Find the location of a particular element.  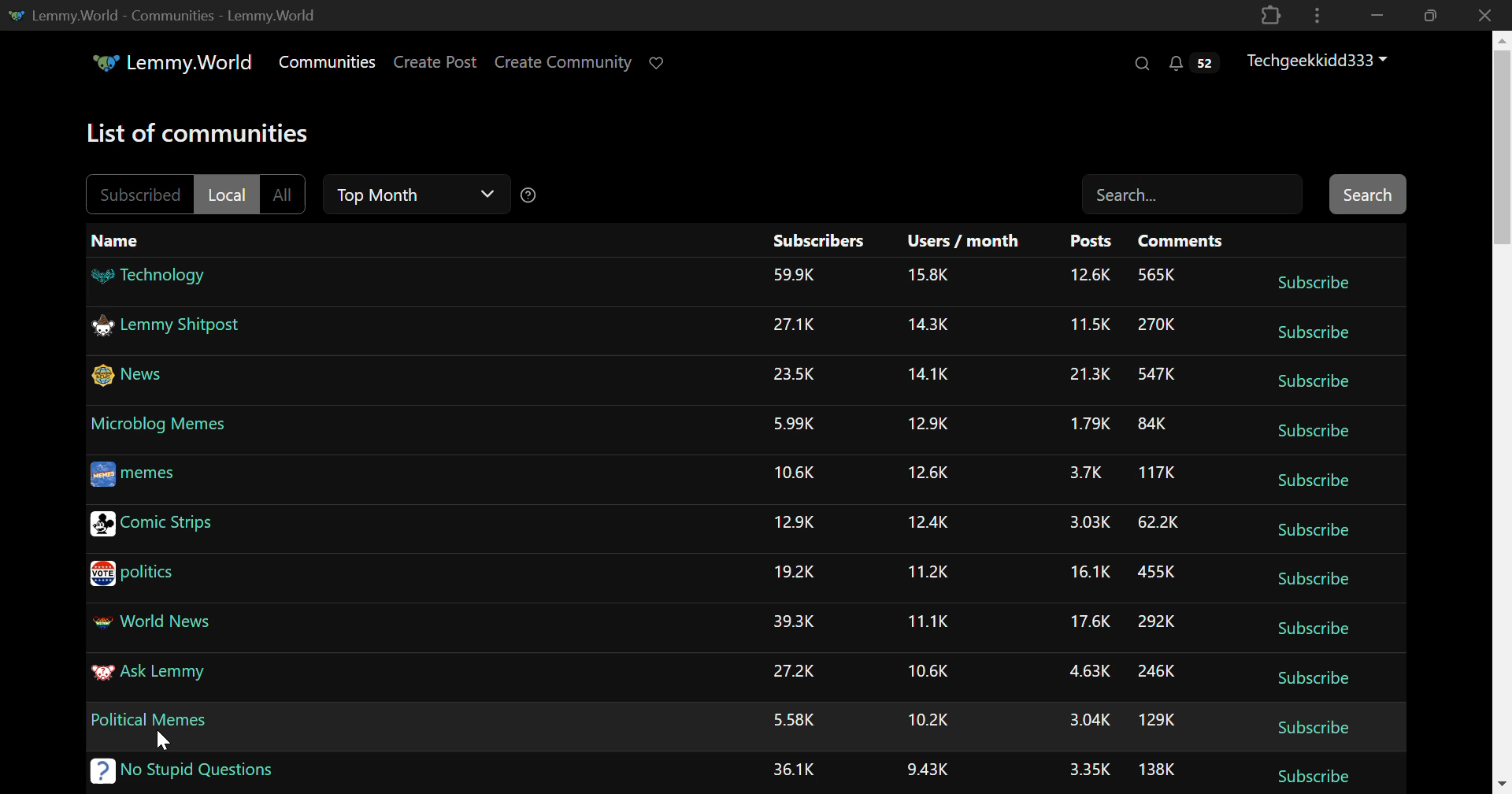

Comments Column Heading is located at coordinates (1180, 239).